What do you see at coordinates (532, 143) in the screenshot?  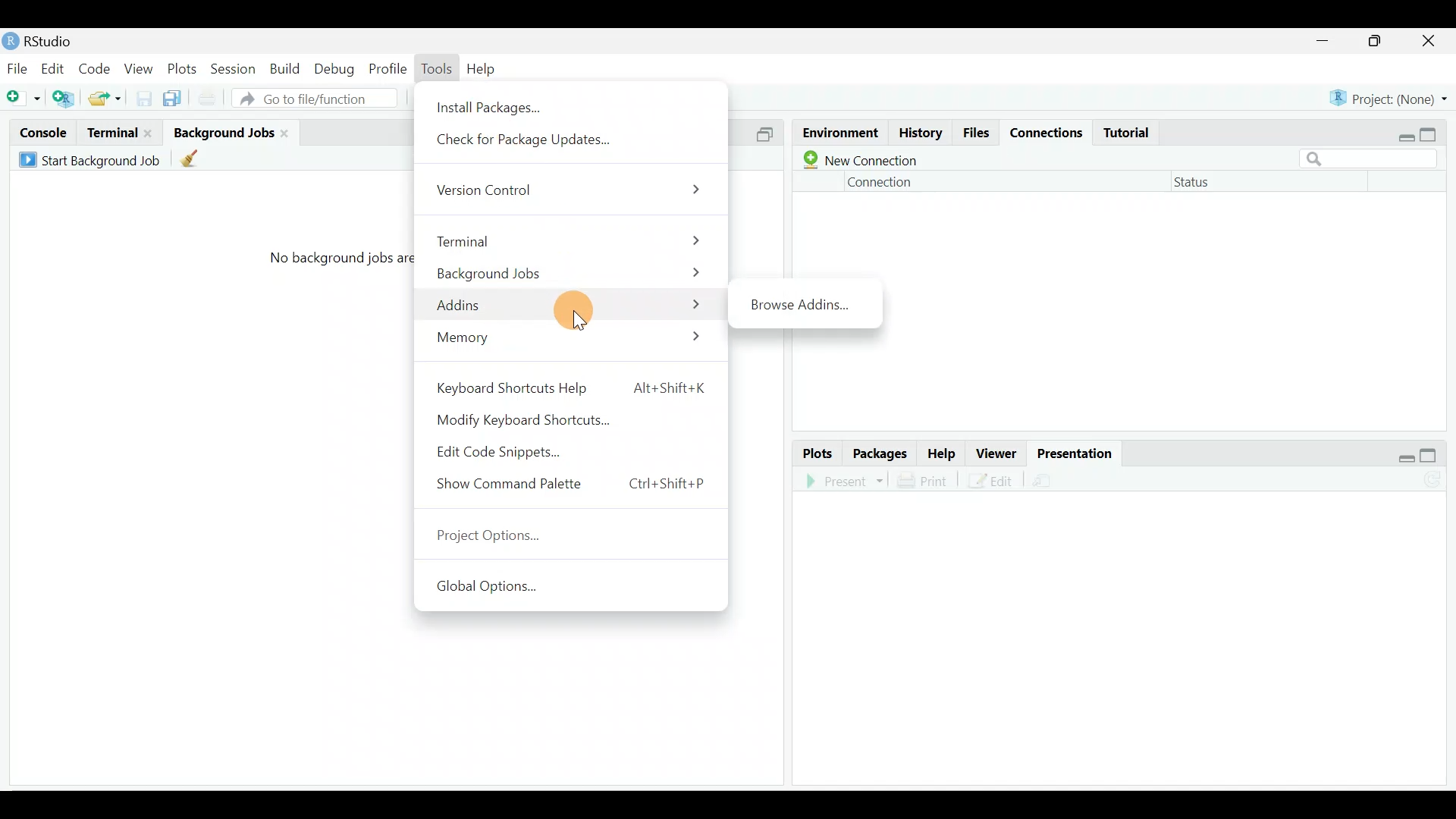 I see `Check for Package Updates...` at bounding box center [532, 143].